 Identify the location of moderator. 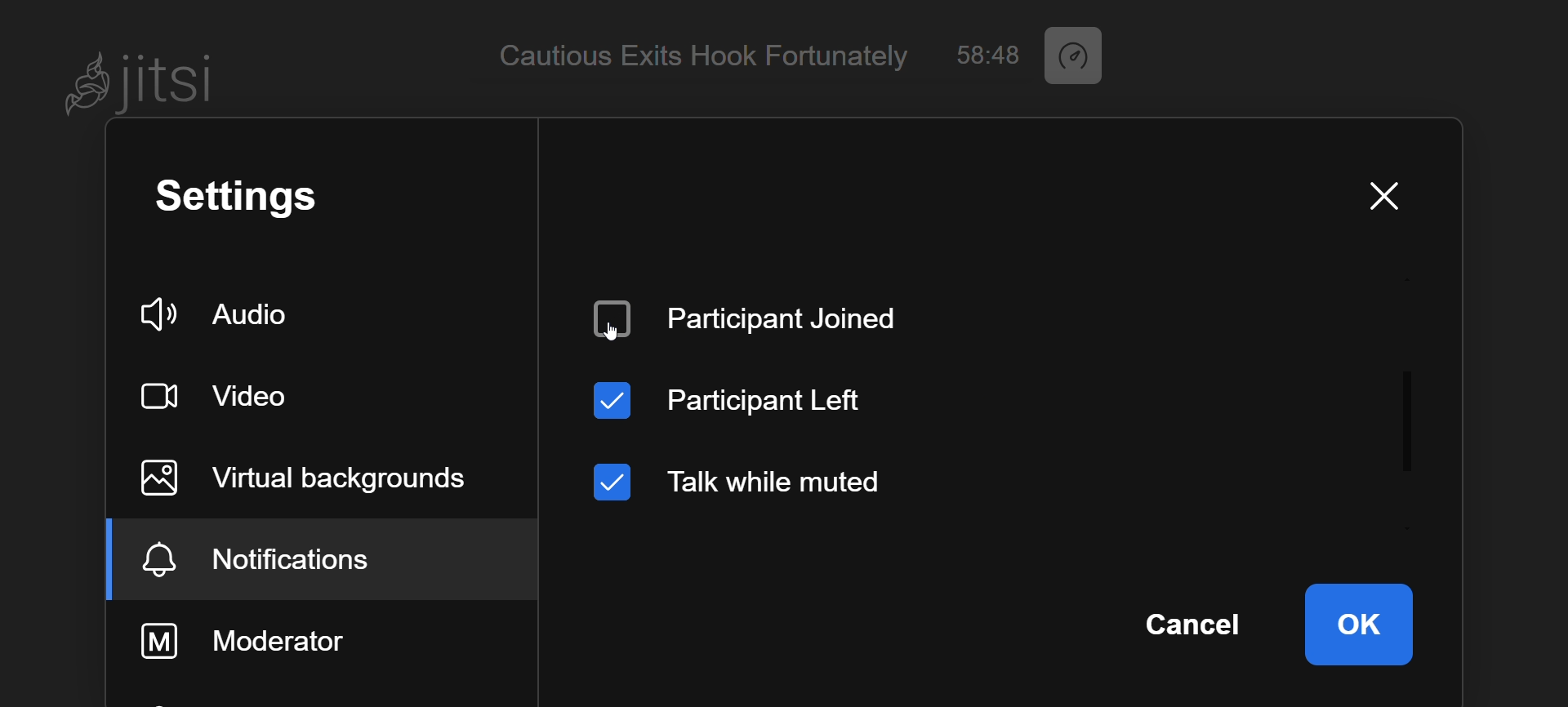
(270, 642).